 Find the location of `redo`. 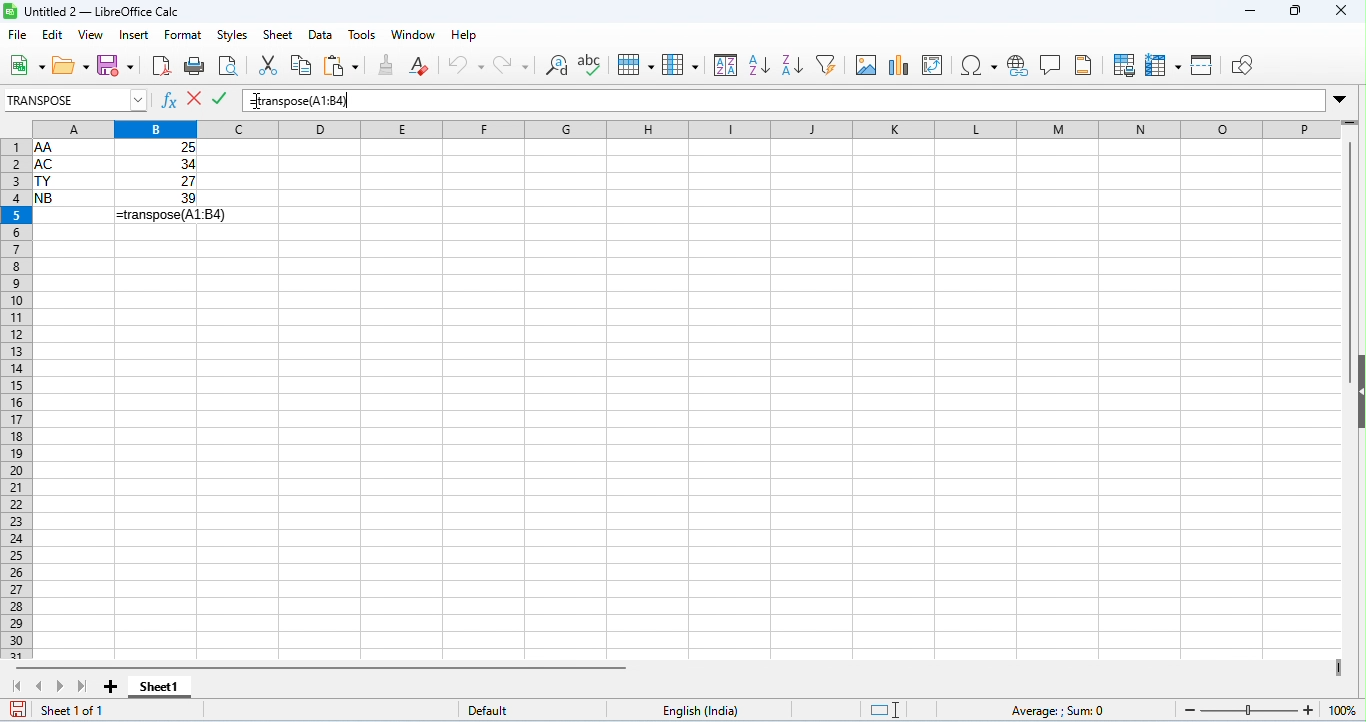

redo is located at coordinates (512, 66).